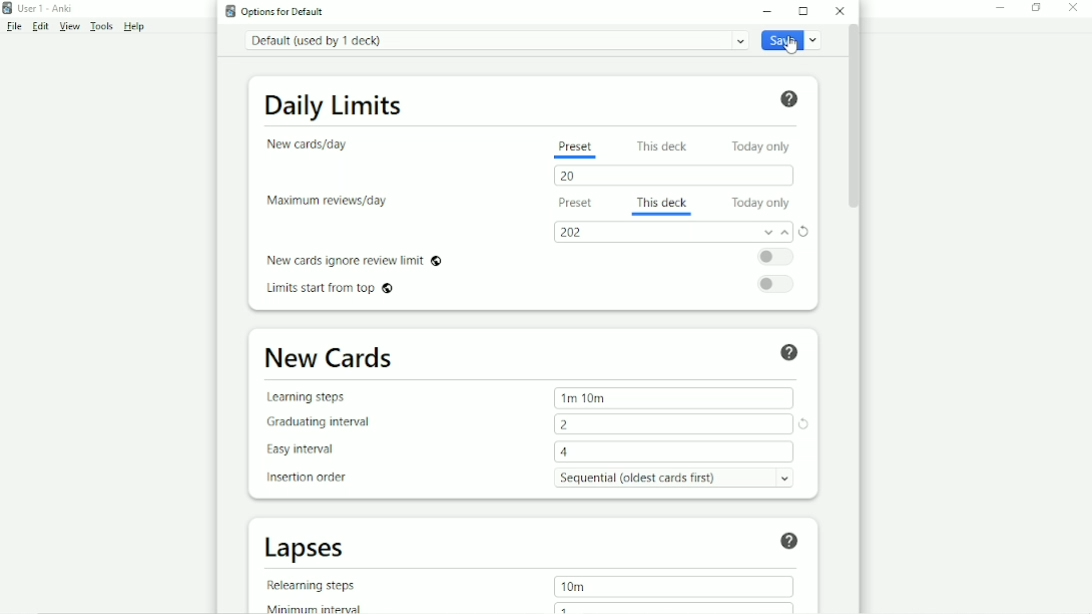 This screenshot has width=1092, height=614. What do you see at coordinates (354, 259) in the screenshot?
I see `New cards ignore review limit` at bounding box center [354, 259].